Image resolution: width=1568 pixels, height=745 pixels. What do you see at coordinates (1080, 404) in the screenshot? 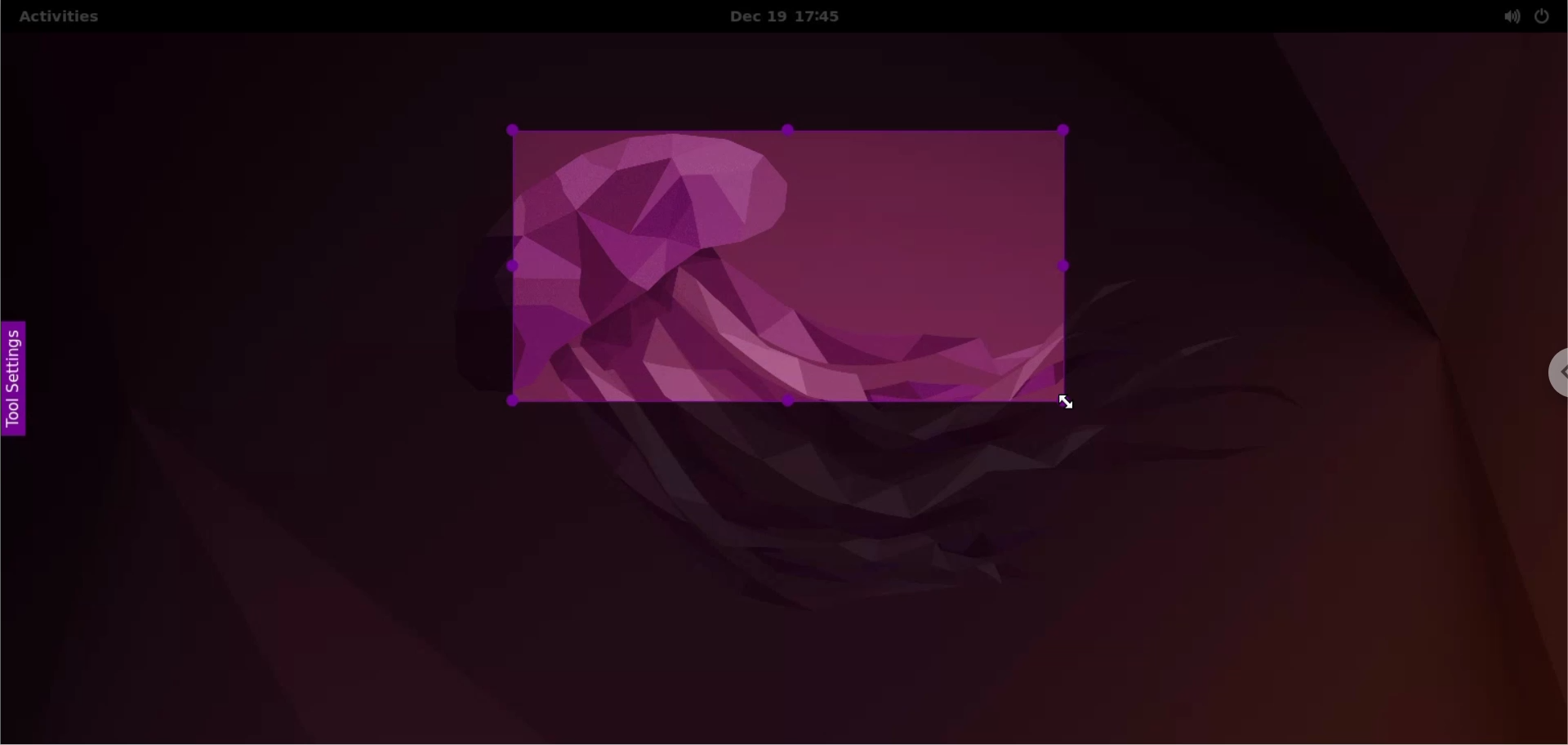
I see `cursor` at bounding box center [1080, 404].